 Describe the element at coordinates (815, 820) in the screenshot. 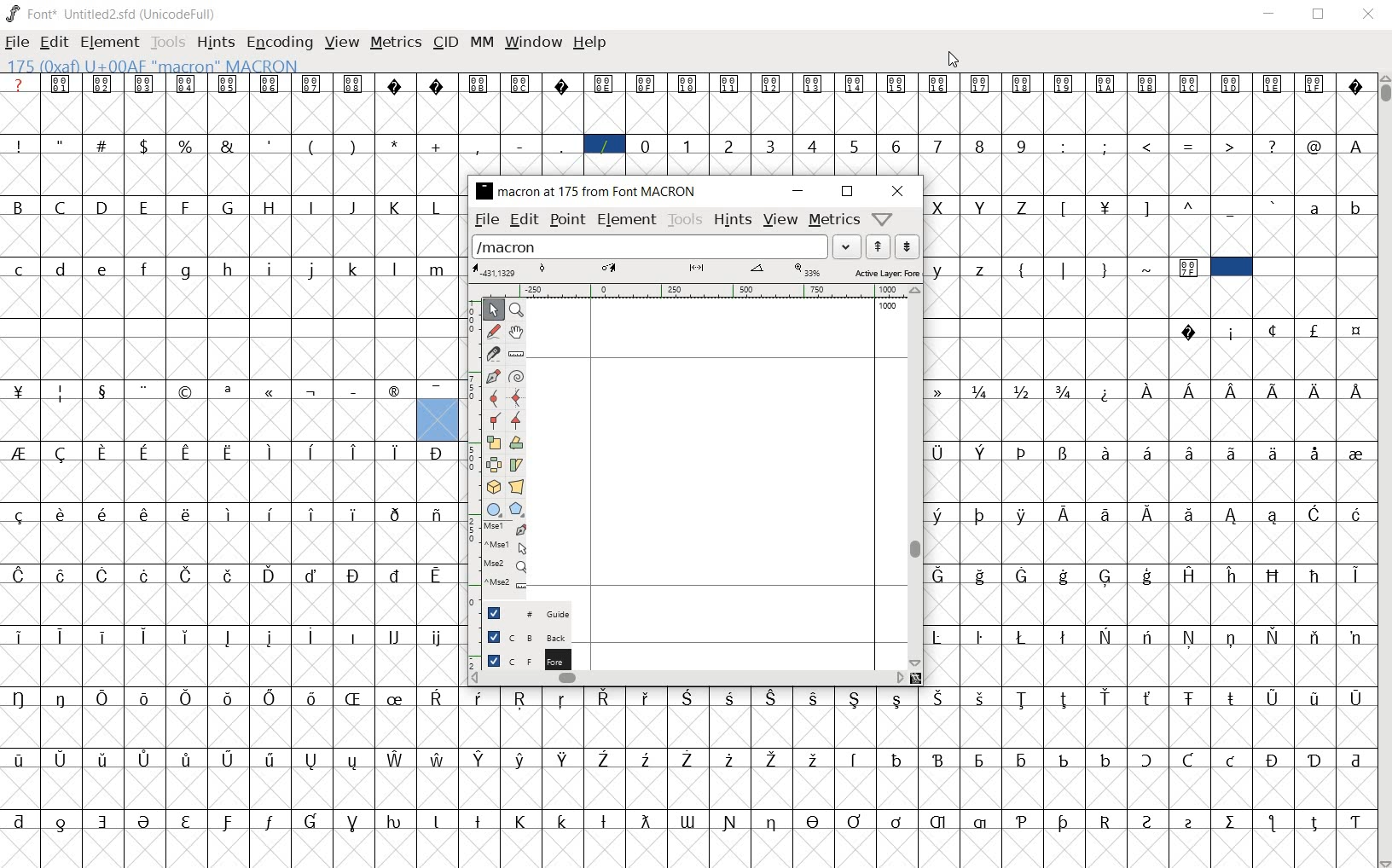

I see `Symbol` at that location.